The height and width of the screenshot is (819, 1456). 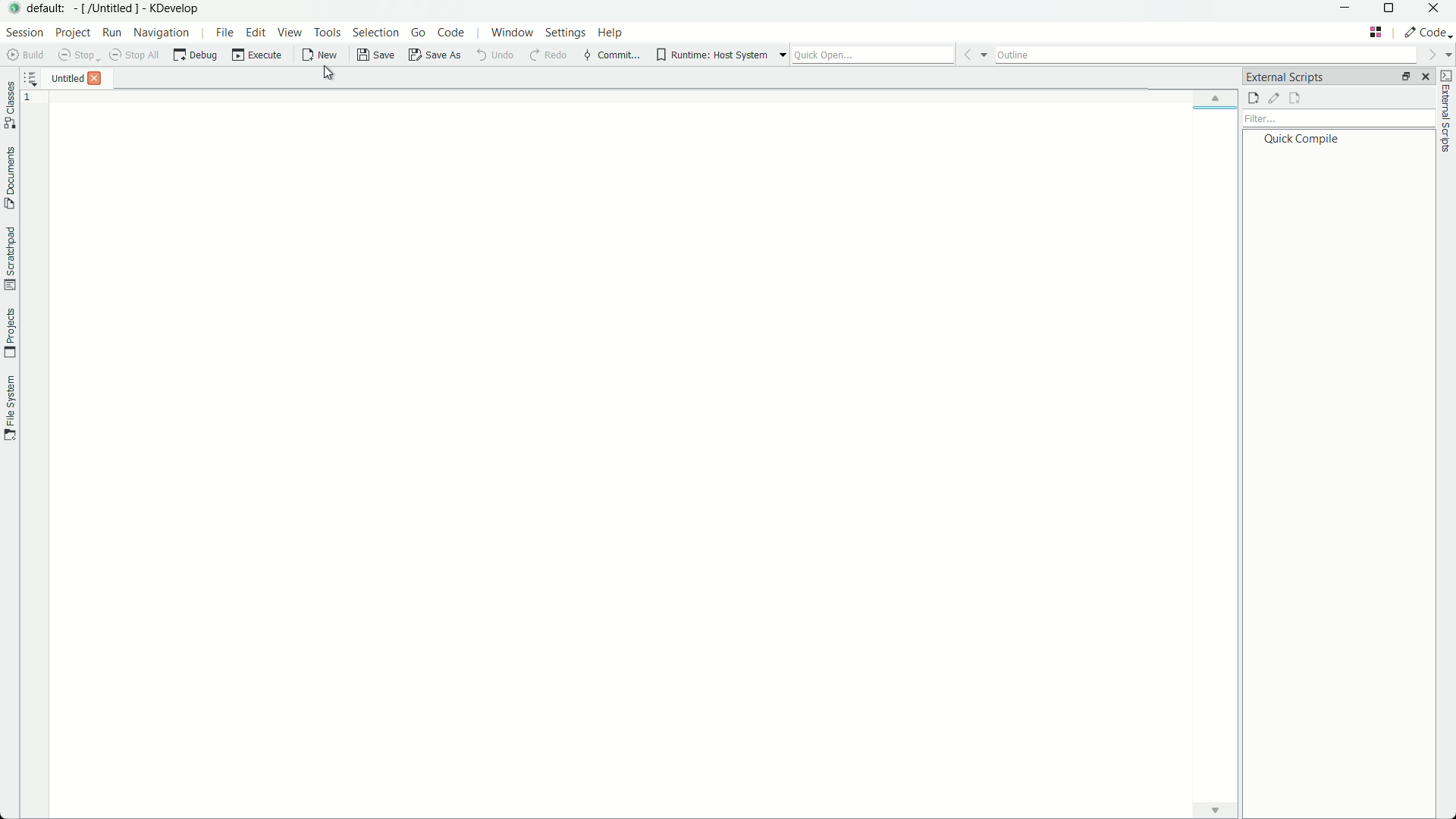 What do you see at coordinates (417, 32) in the screenshot?
I see `go menu` at bounding box center [417, 32].